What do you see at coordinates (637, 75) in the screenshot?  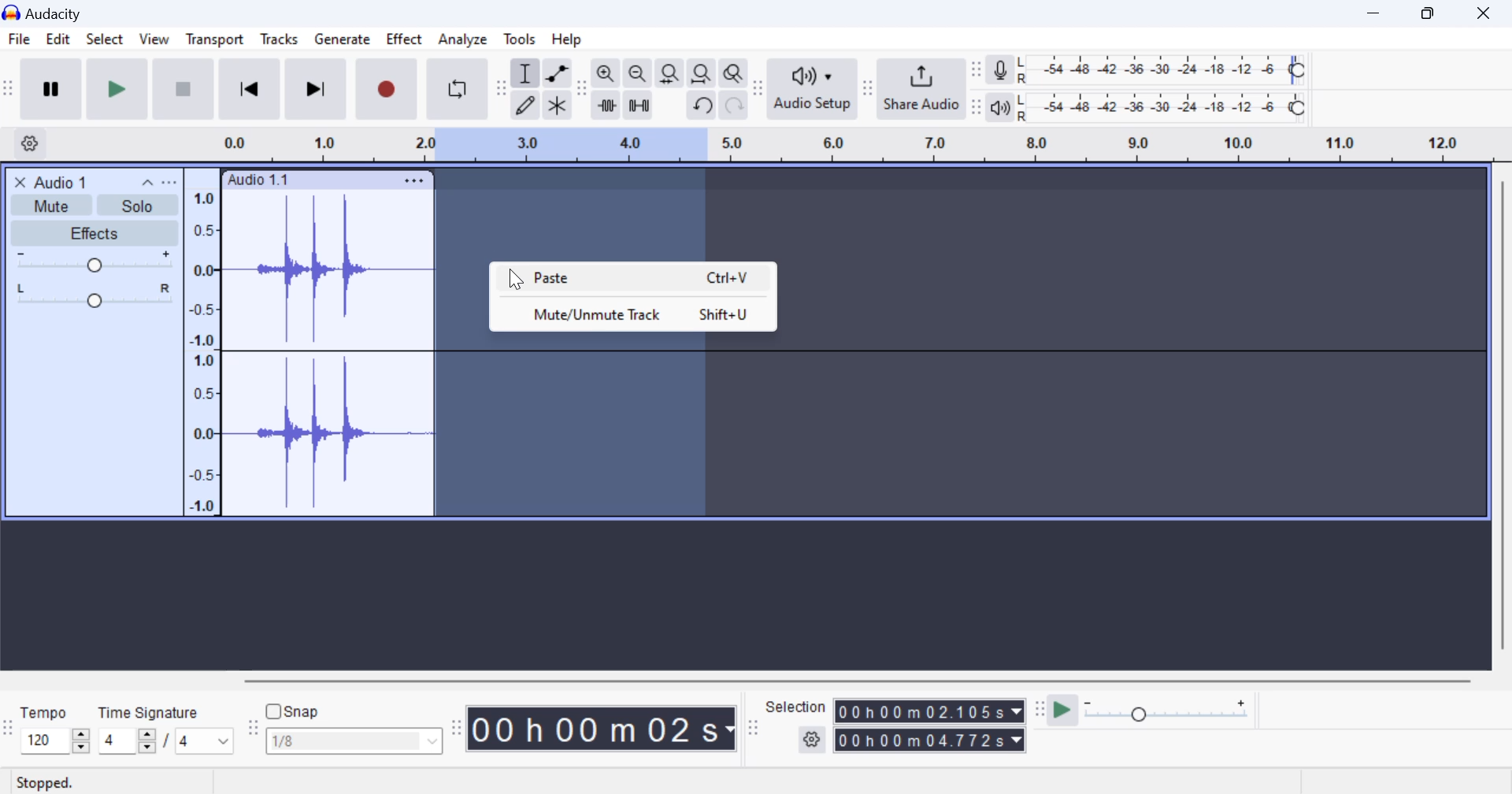 I see `zoom out` at bounding box center [637, 75].